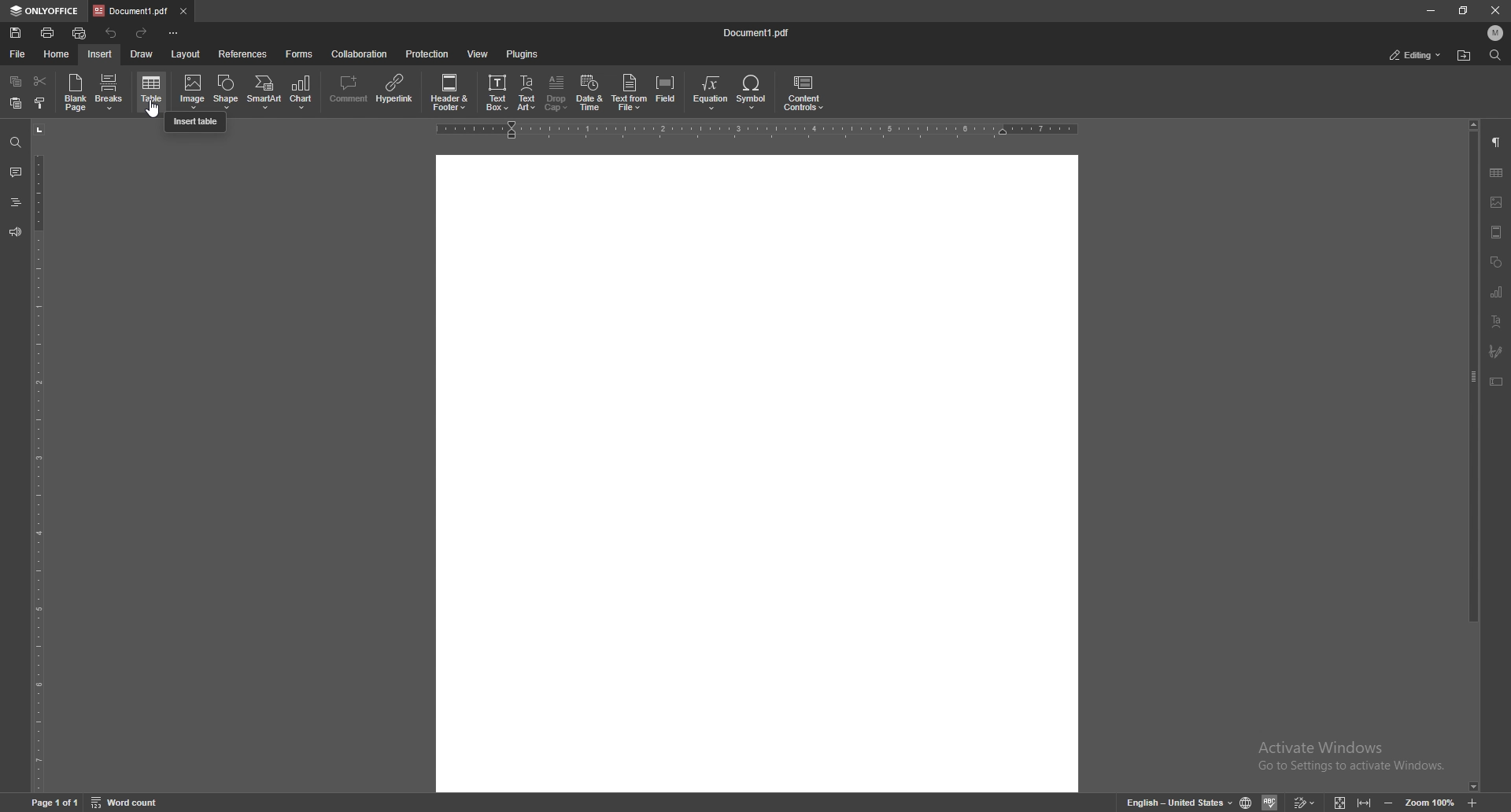  I want to click on text art, so click(526, 92).